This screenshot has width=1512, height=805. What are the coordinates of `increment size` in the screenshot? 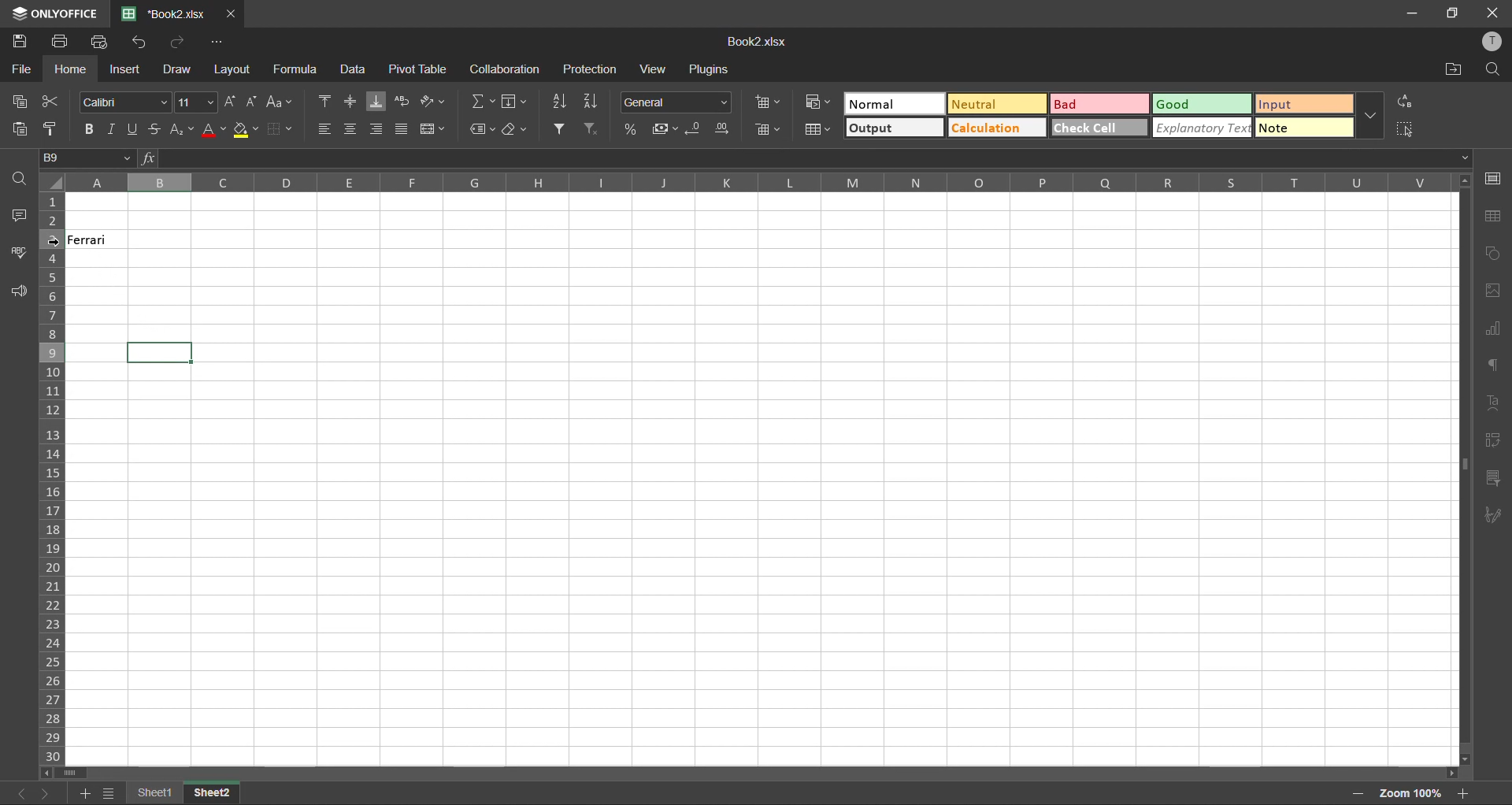 It's located at (229, 102).